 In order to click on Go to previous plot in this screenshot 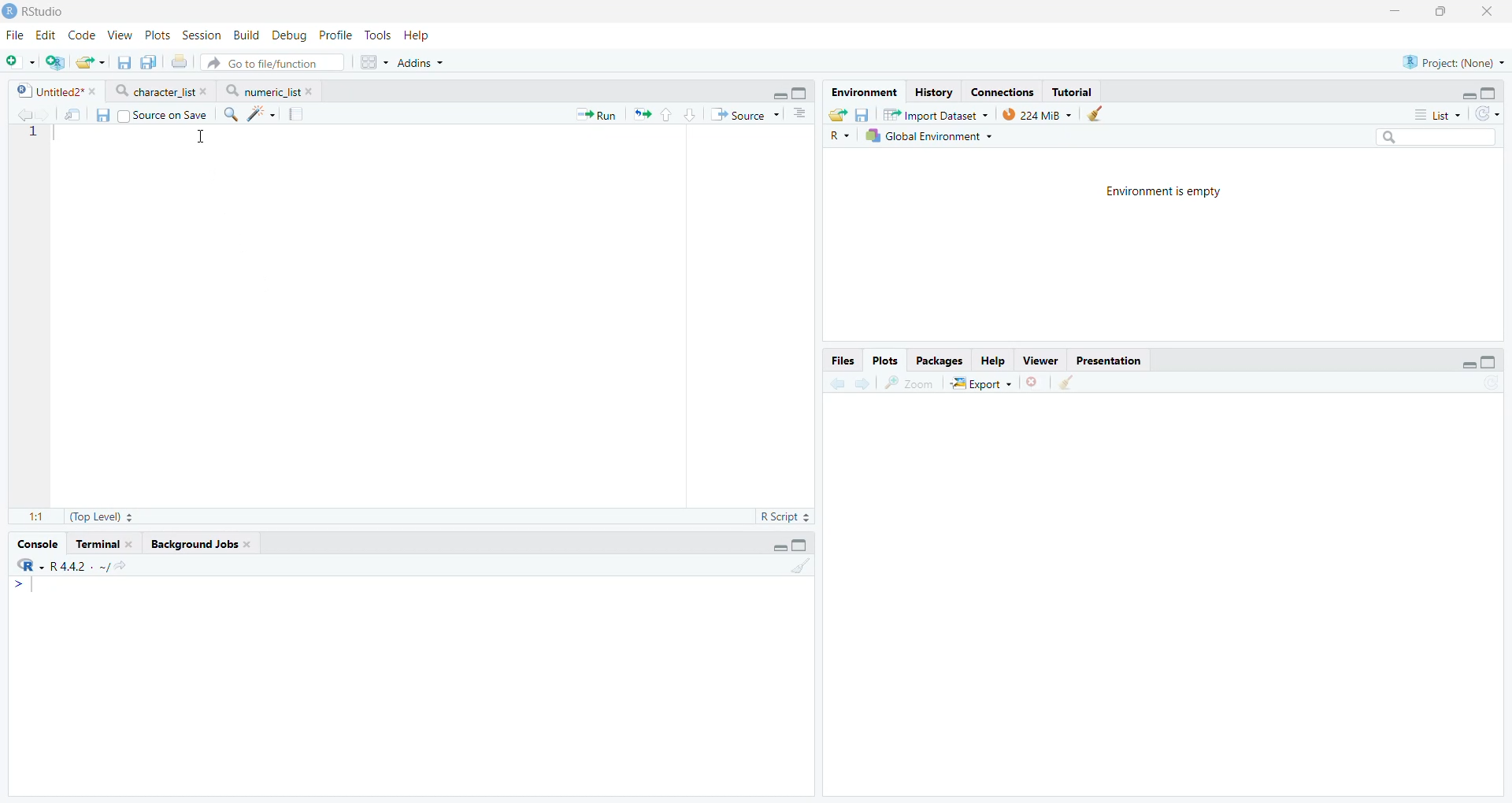, I will do `click(839, 382)`.